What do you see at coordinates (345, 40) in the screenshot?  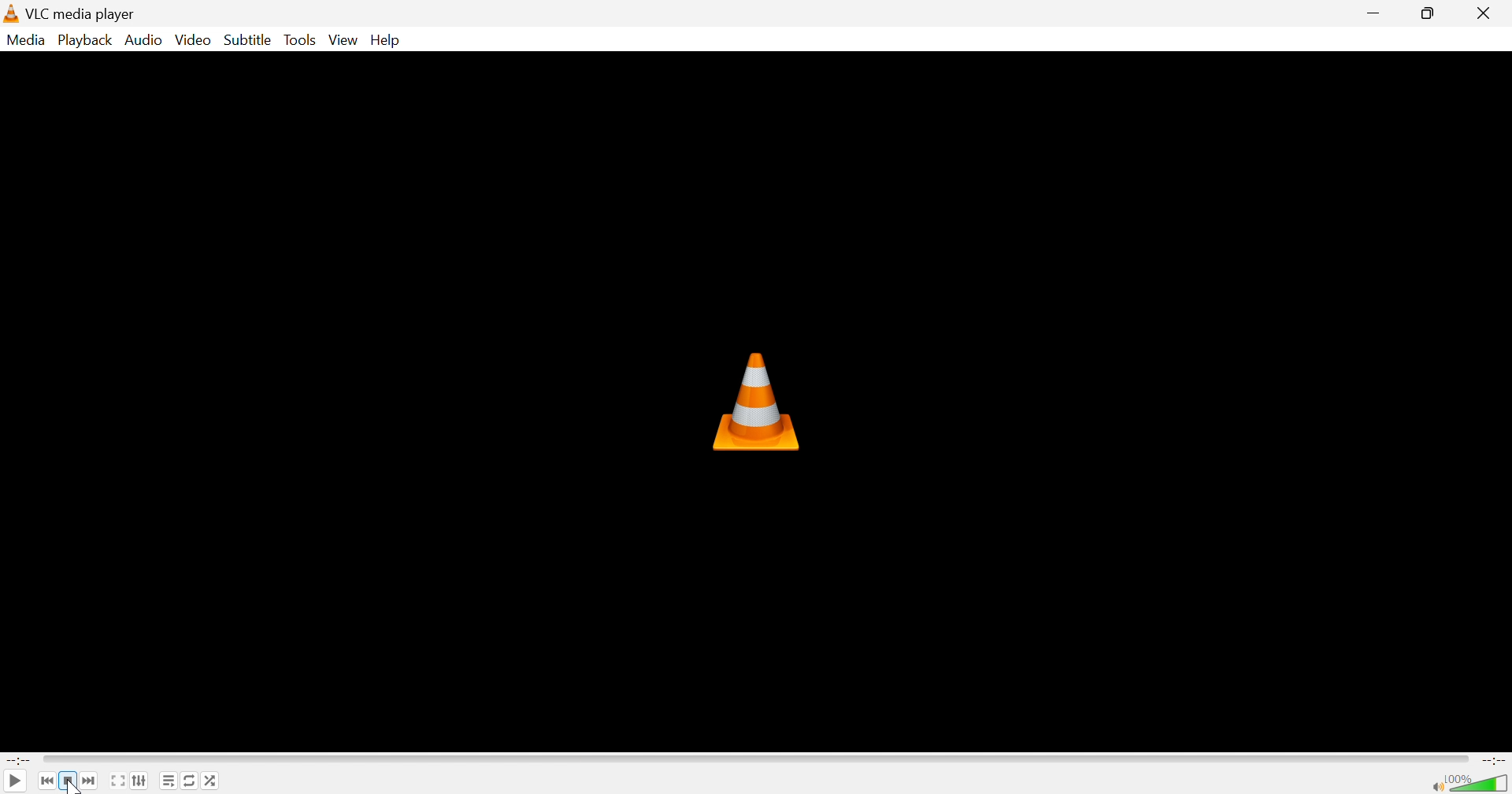 I see `View` at bounding box center [345, 40].